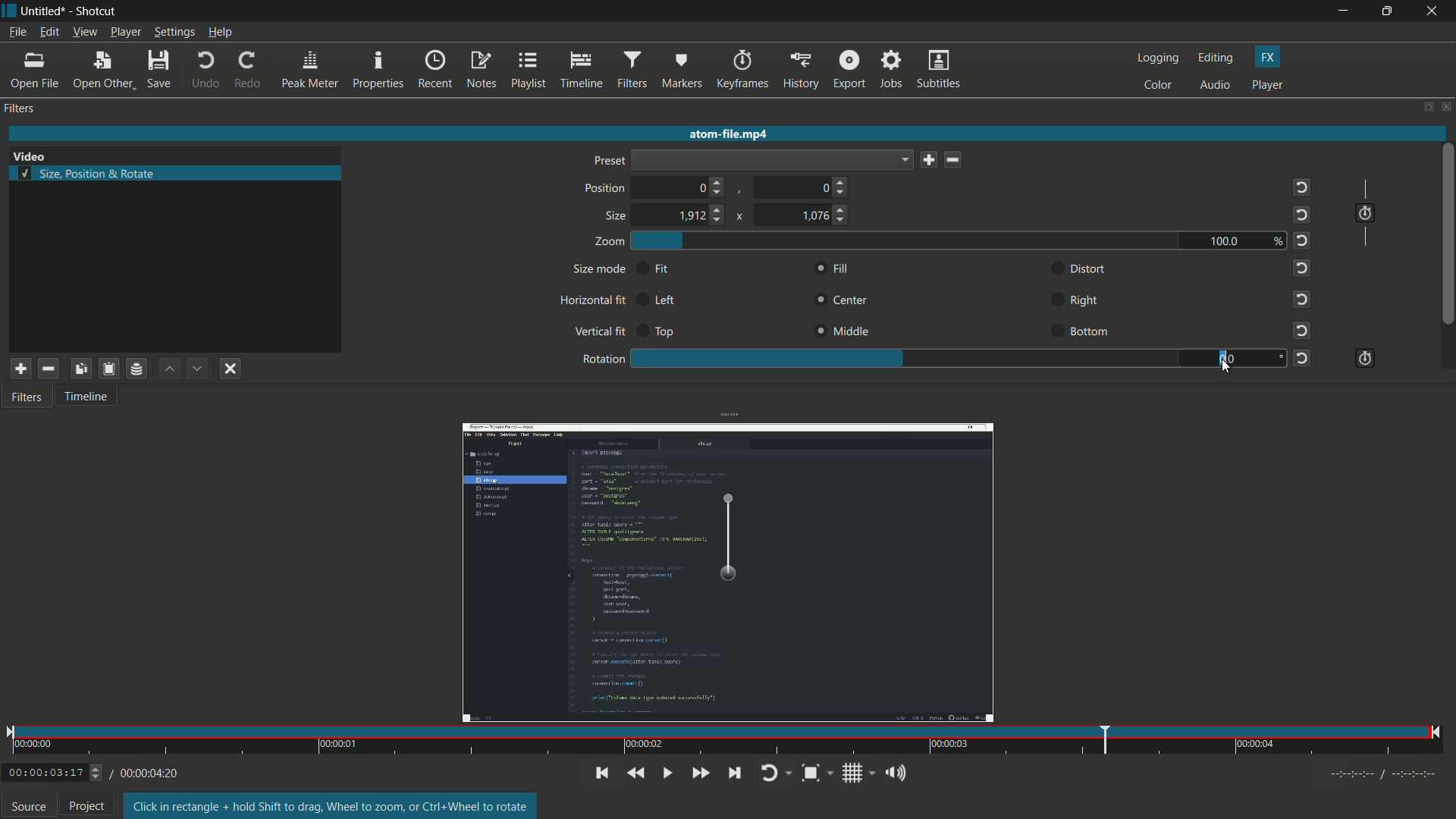  Describe the element at coordinates (202, 71) in the screenshot. I see `undo` at that location.